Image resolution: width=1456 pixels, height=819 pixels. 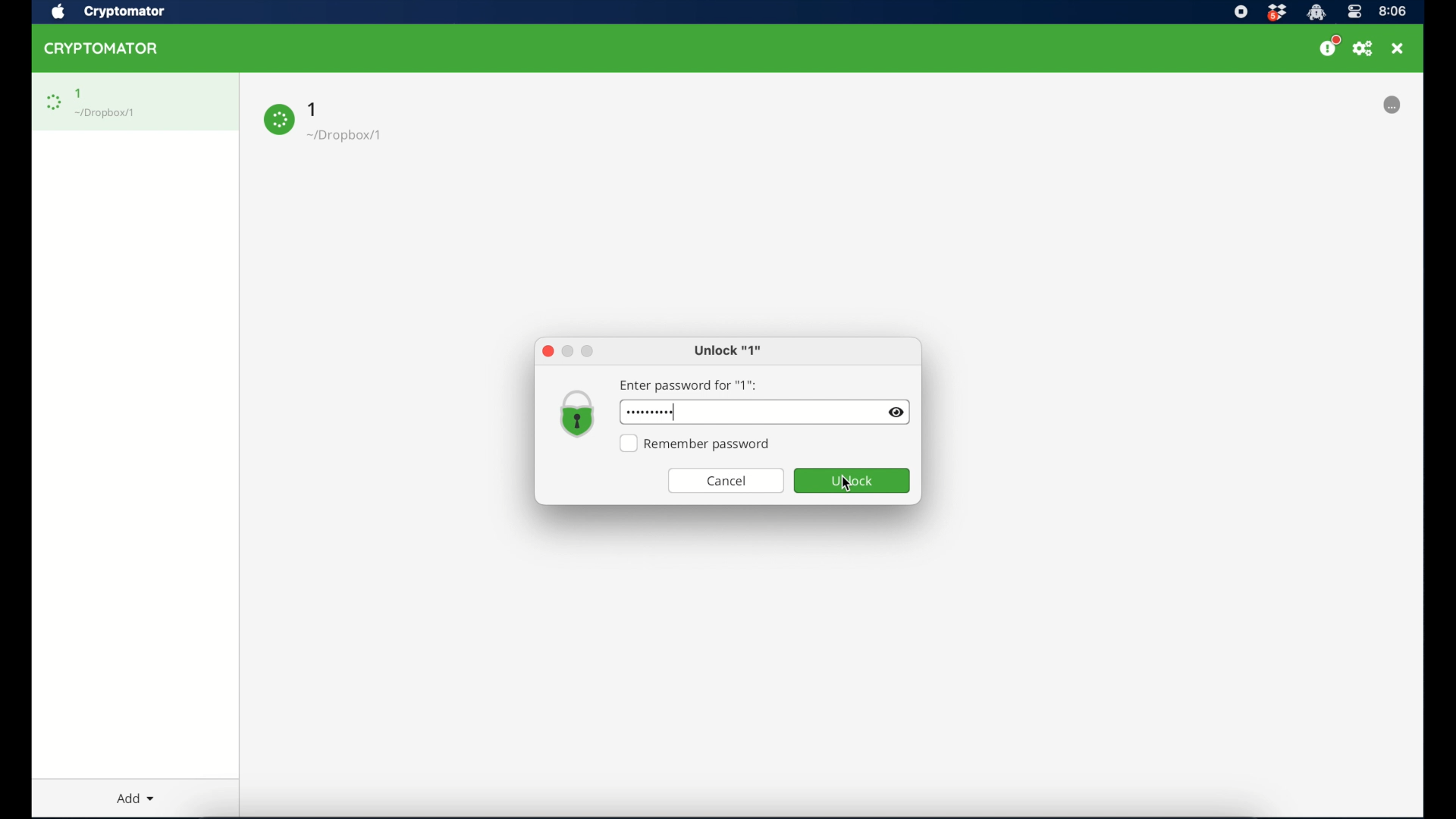 I want to click on unlock, so click(x=852, y=481).